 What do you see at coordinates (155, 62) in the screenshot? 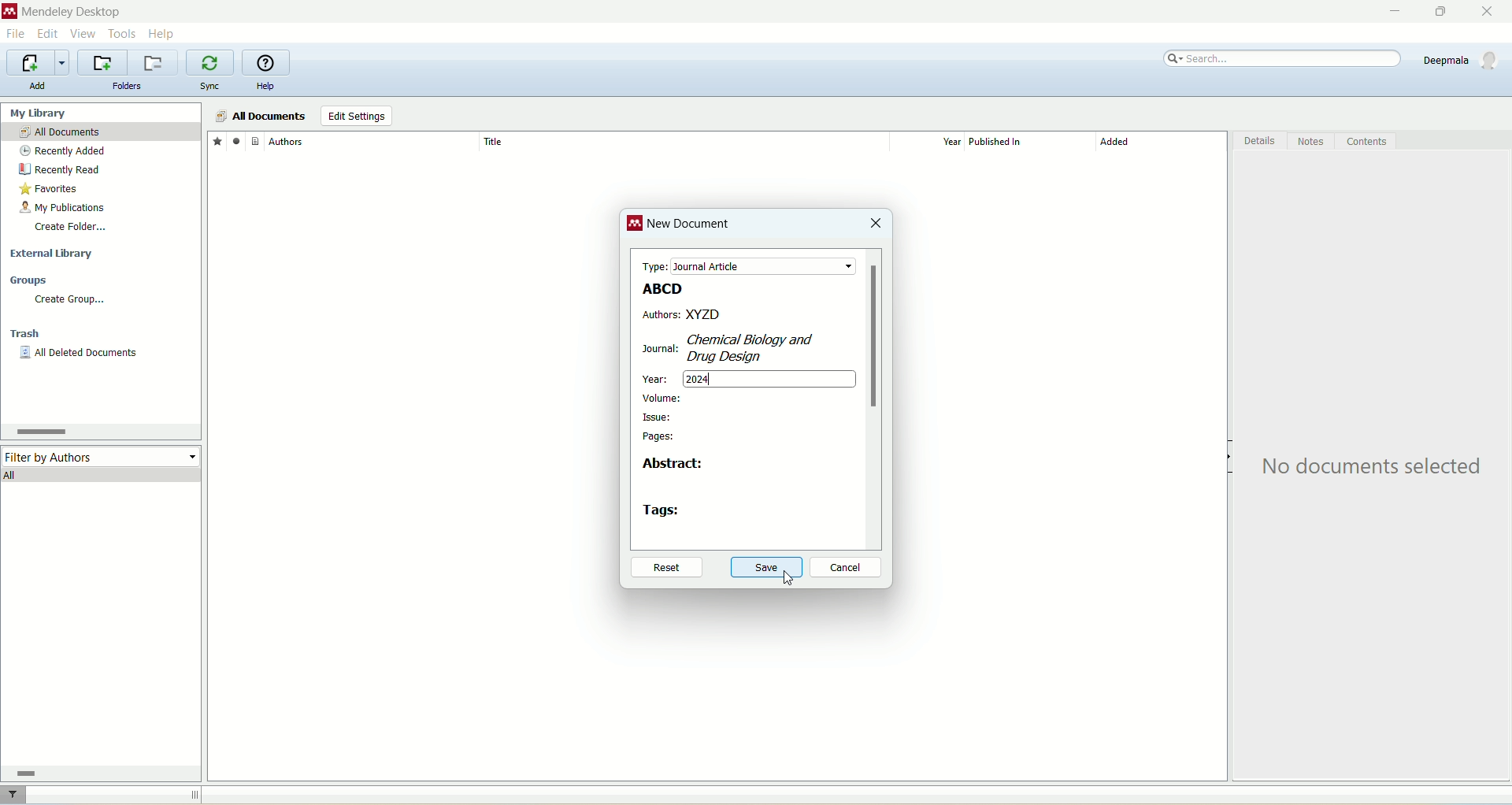
I see `remove current folder` at bounding box center [155, 62].